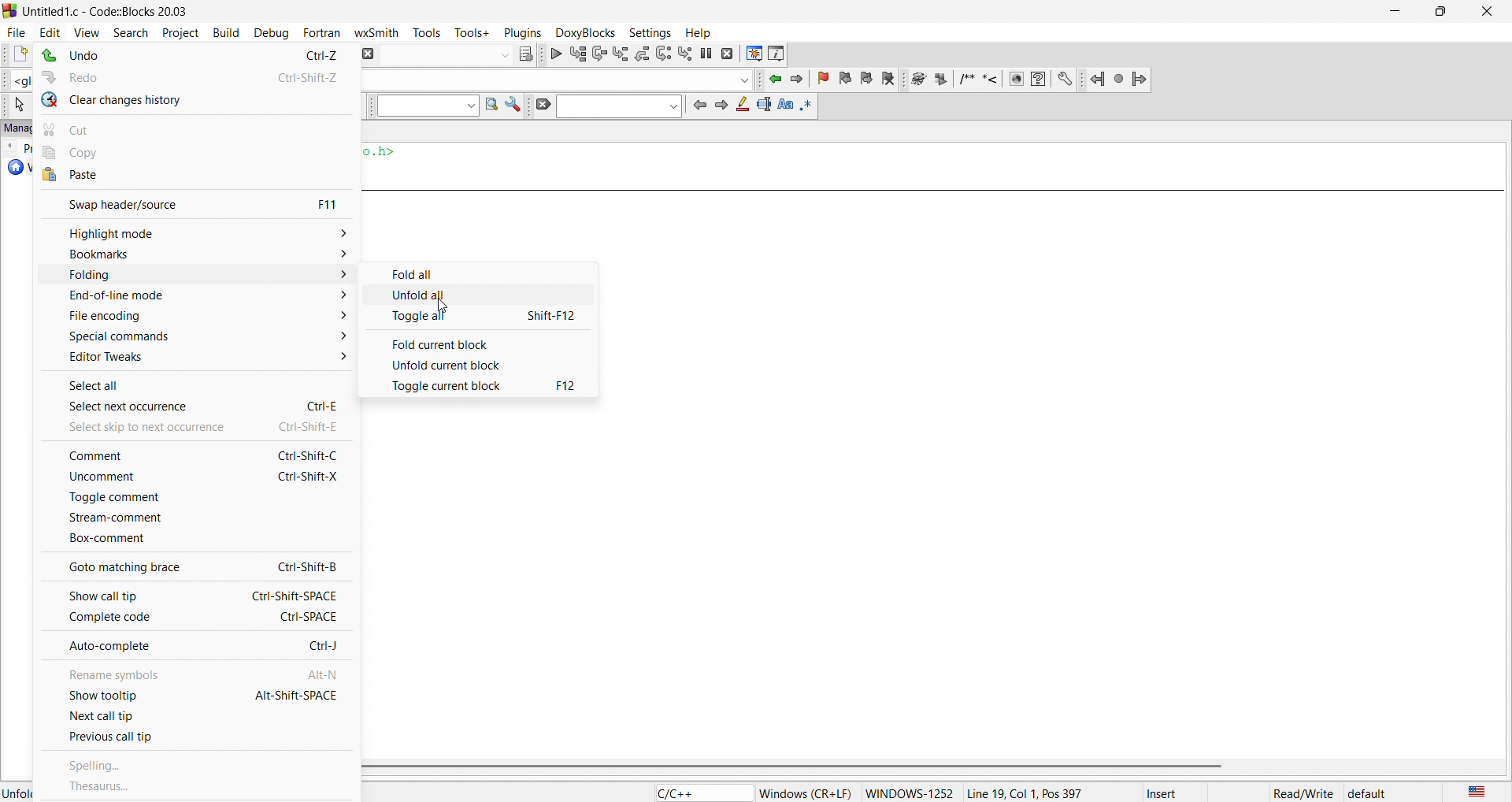 The width and height of the screenshot is (1512, 802). What do you see at coordinates (192, 695) in the screenshot?
I see `show tooltip` at bounding box center [192, 695].